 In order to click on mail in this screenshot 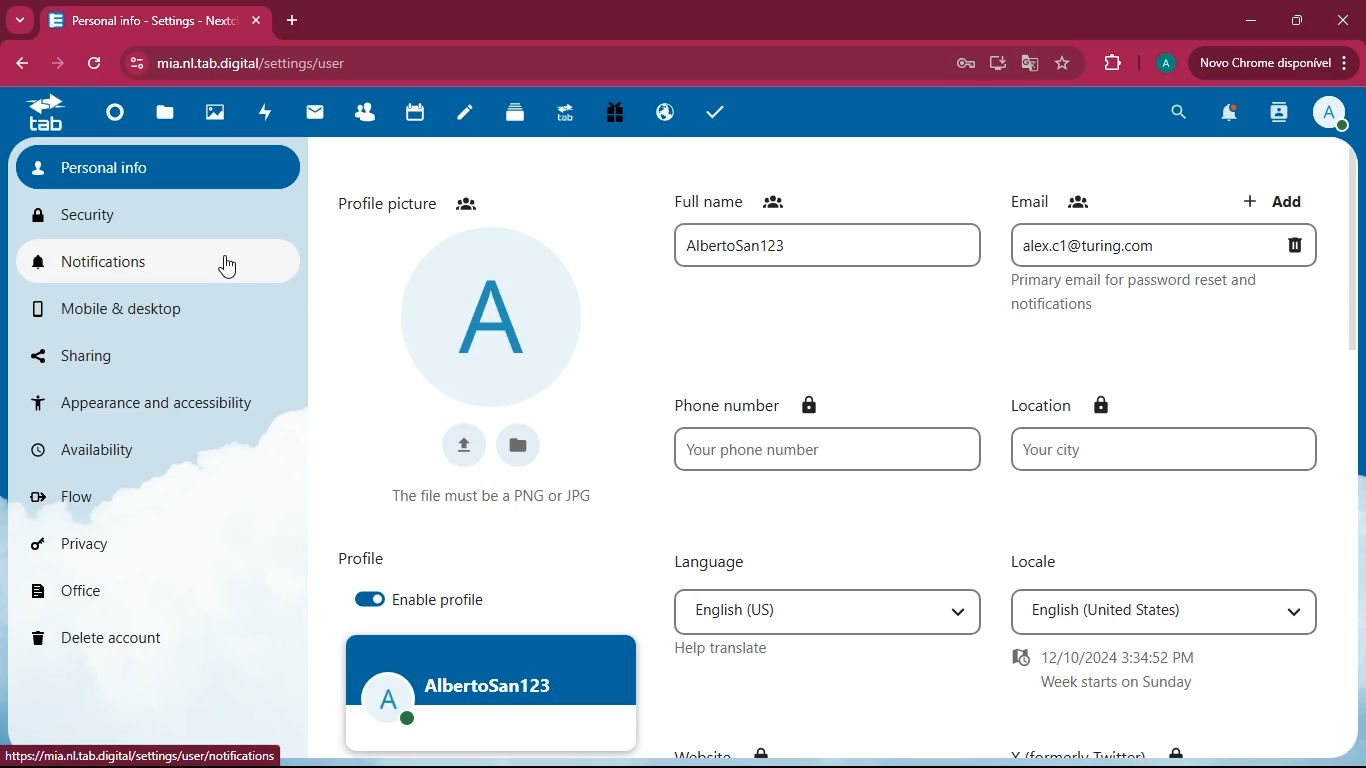, I will do `click(308, 112)`.